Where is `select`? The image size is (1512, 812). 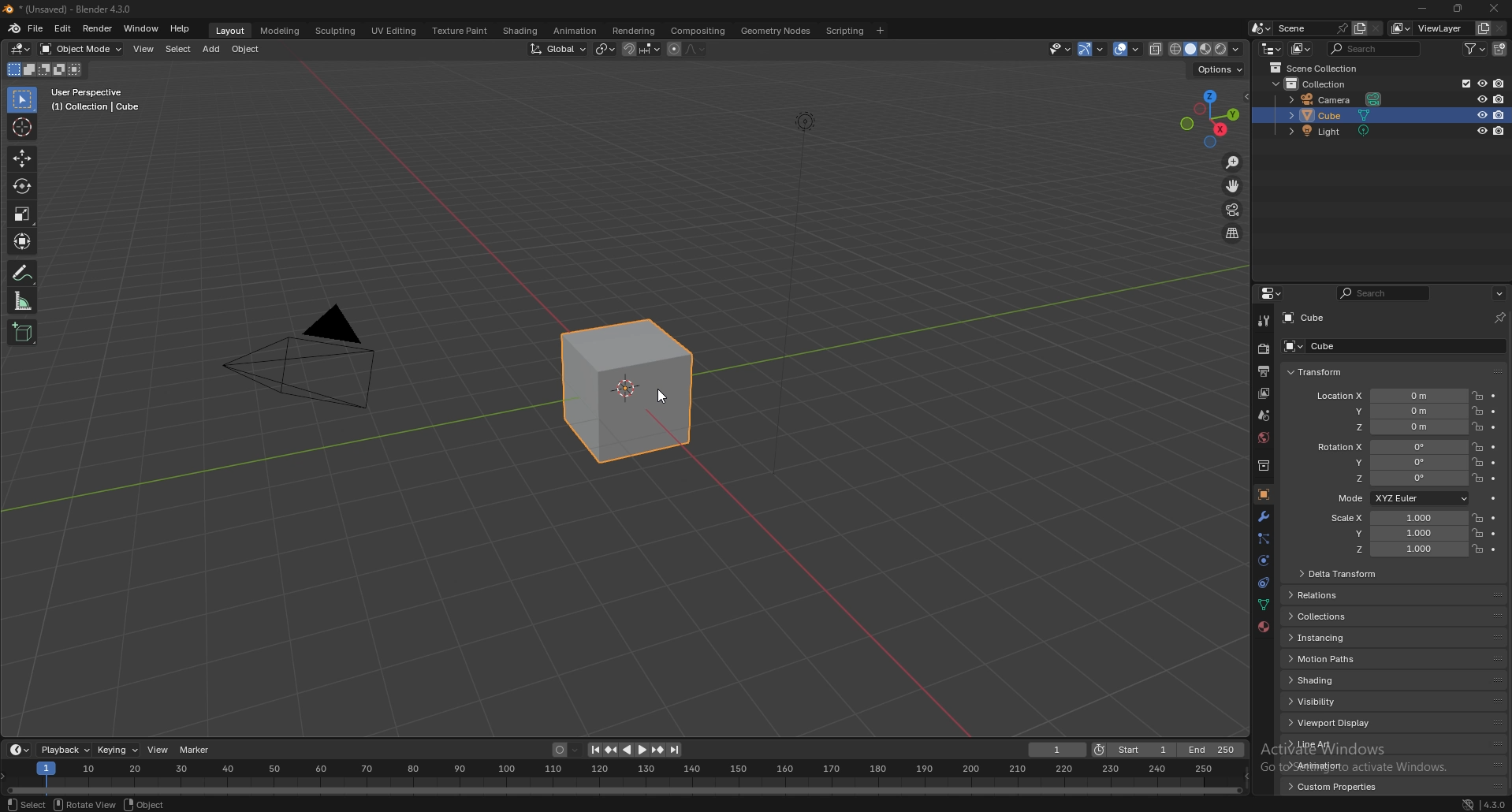
select is located at coordinates (178, 50).